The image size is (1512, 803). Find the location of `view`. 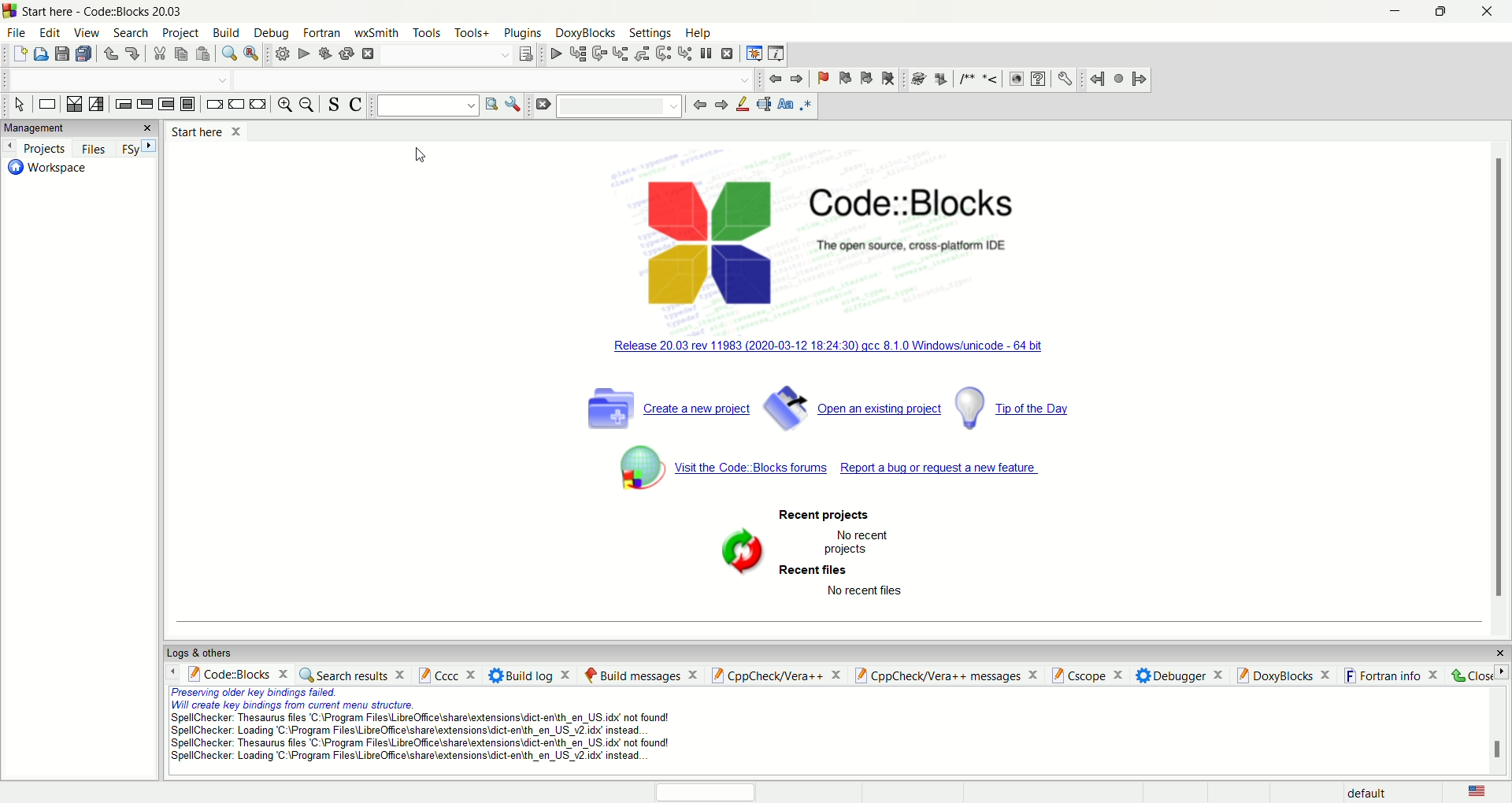

view is located at coordinates (87, 34).